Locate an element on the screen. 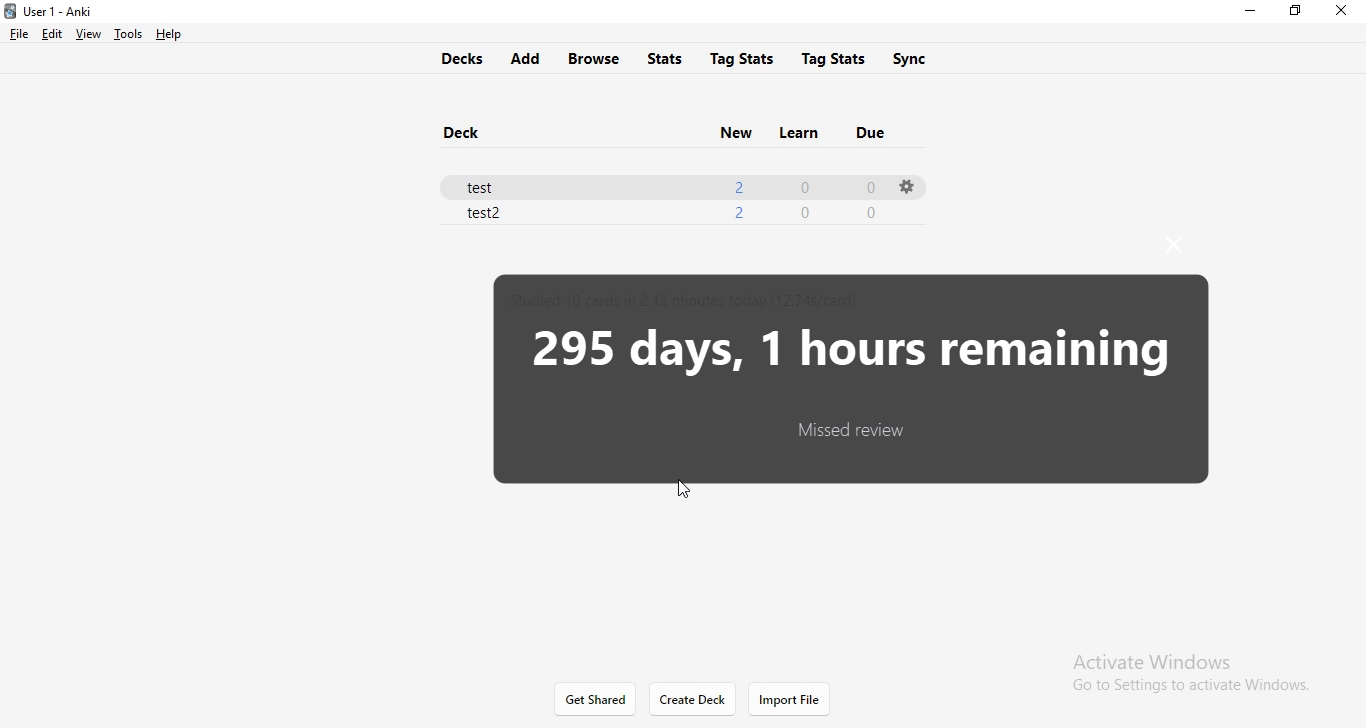 The width and height of the screenshot is (1366, 728). sync is located at coordinates (923, 59).